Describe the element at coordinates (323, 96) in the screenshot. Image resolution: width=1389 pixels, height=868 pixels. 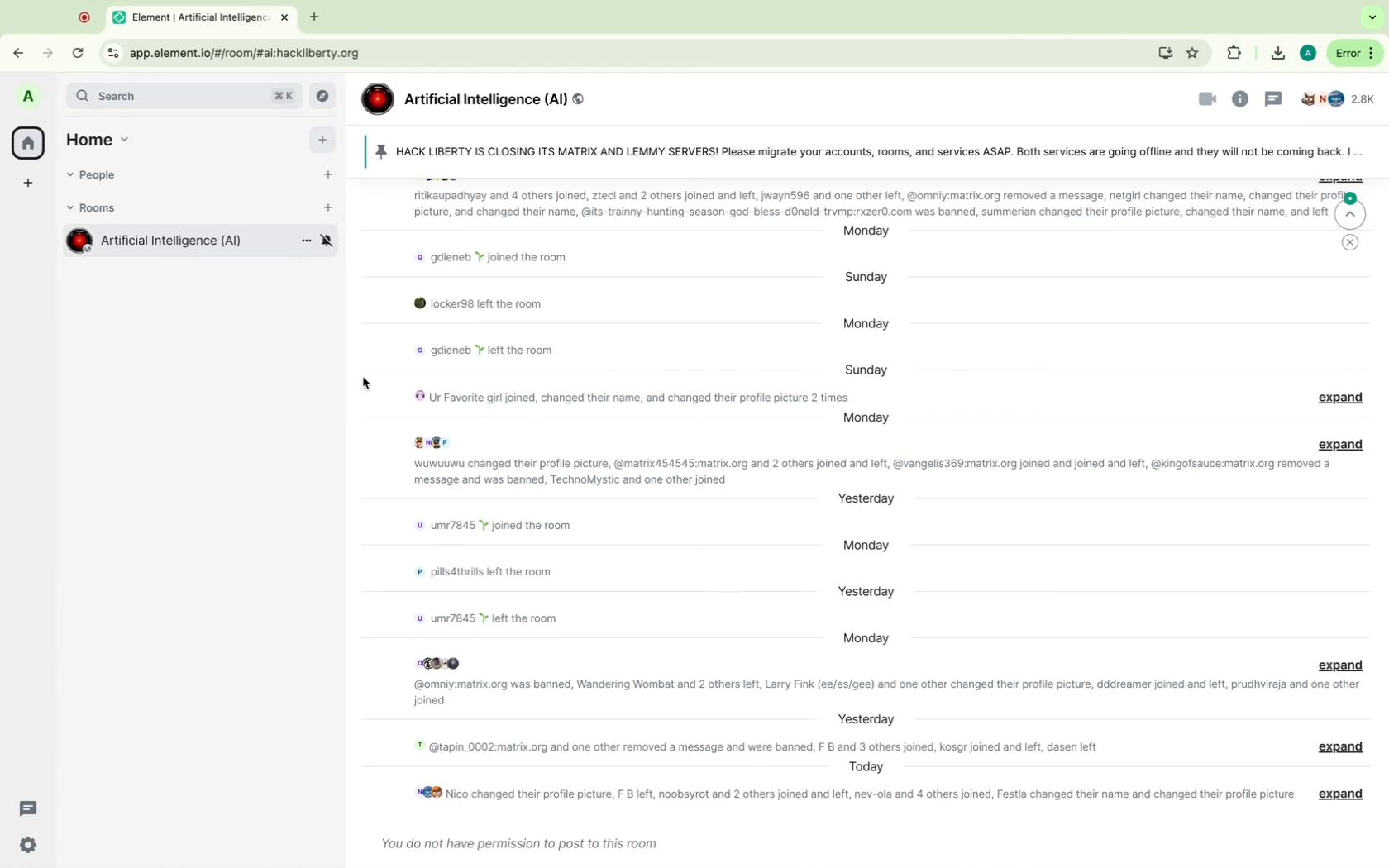
I see `explore rooms` at that location.